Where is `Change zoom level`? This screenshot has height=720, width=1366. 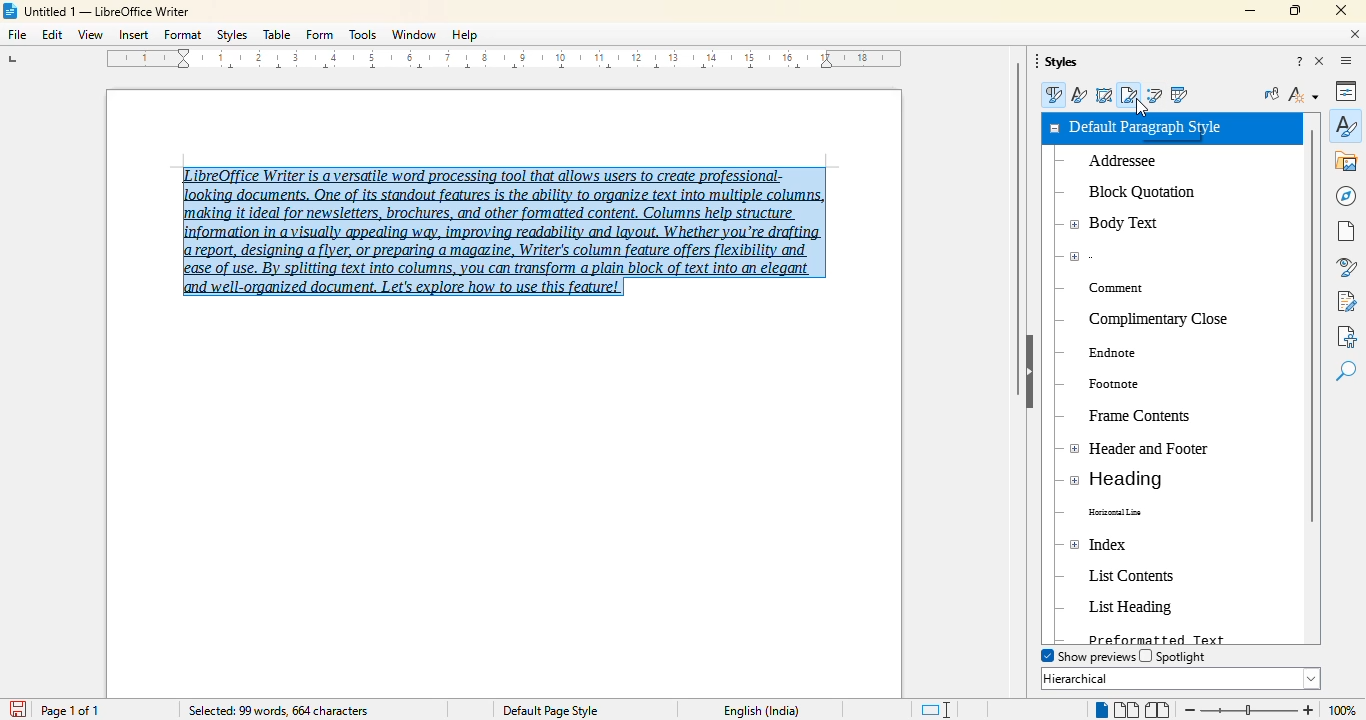
Change zoom level is located at coordinates (1250, 707).